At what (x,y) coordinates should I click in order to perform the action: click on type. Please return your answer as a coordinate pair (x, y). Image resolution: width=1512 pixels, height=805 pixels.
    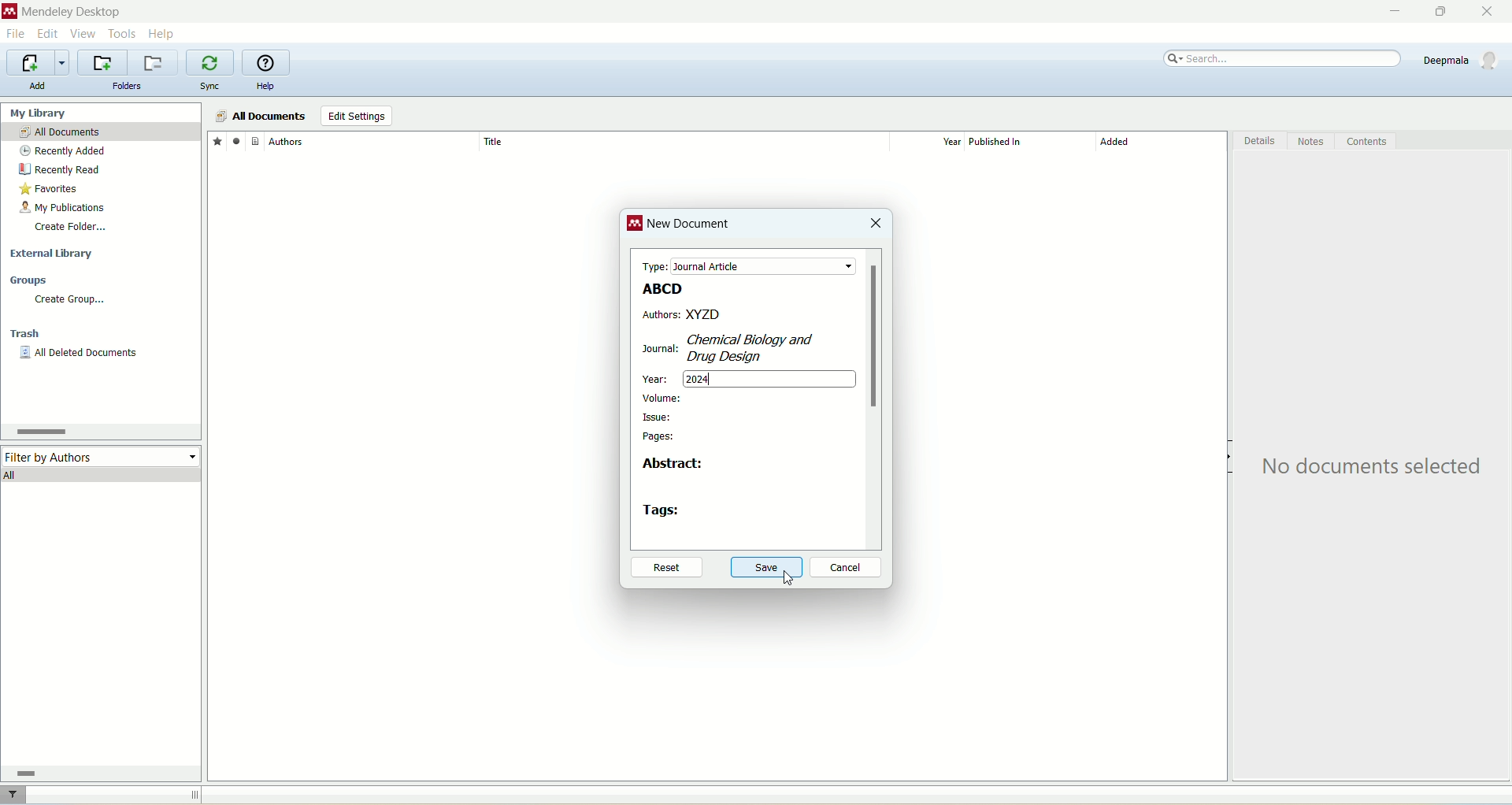
    Looking at the image, I should click on (744, 265).